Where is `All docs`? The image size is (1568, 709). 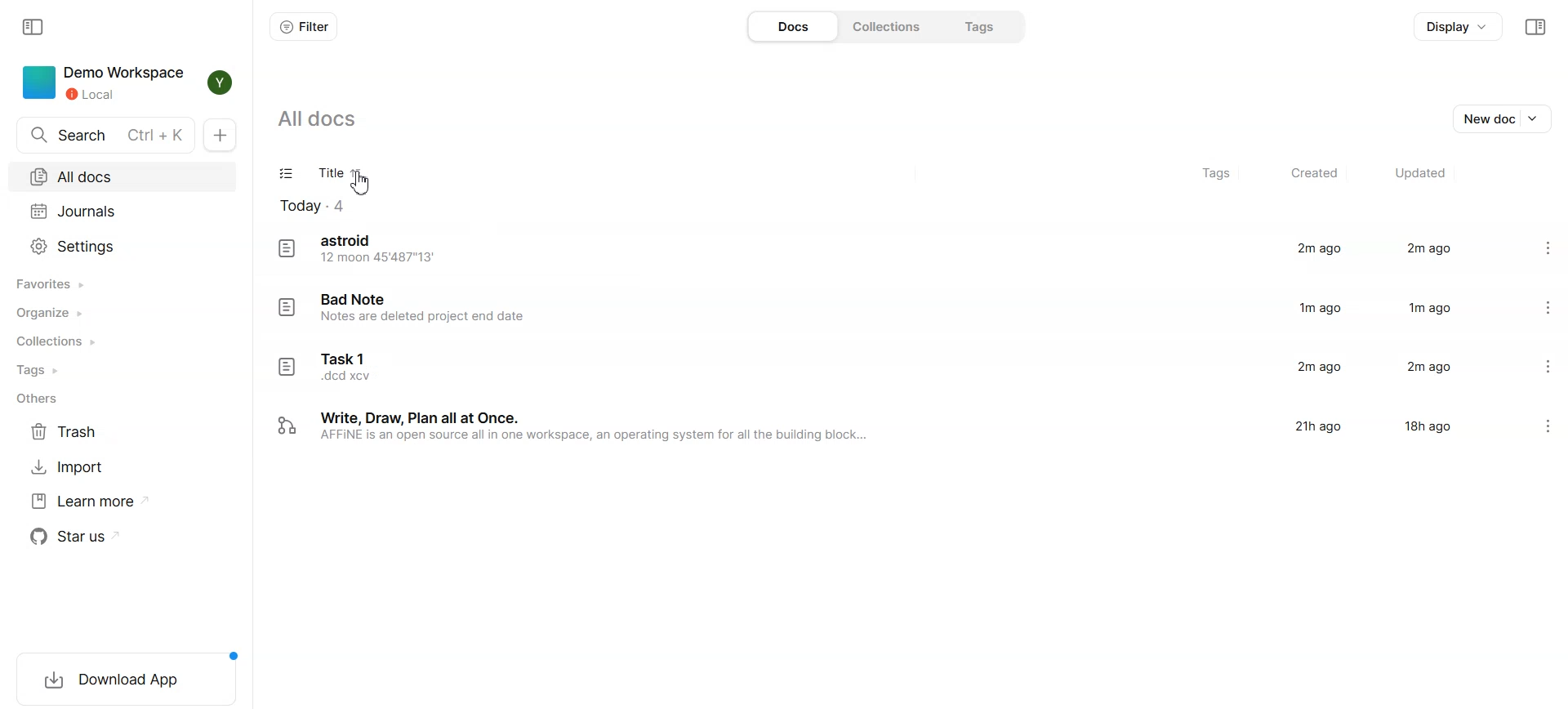
All docs is located at coordinates (317, 117).